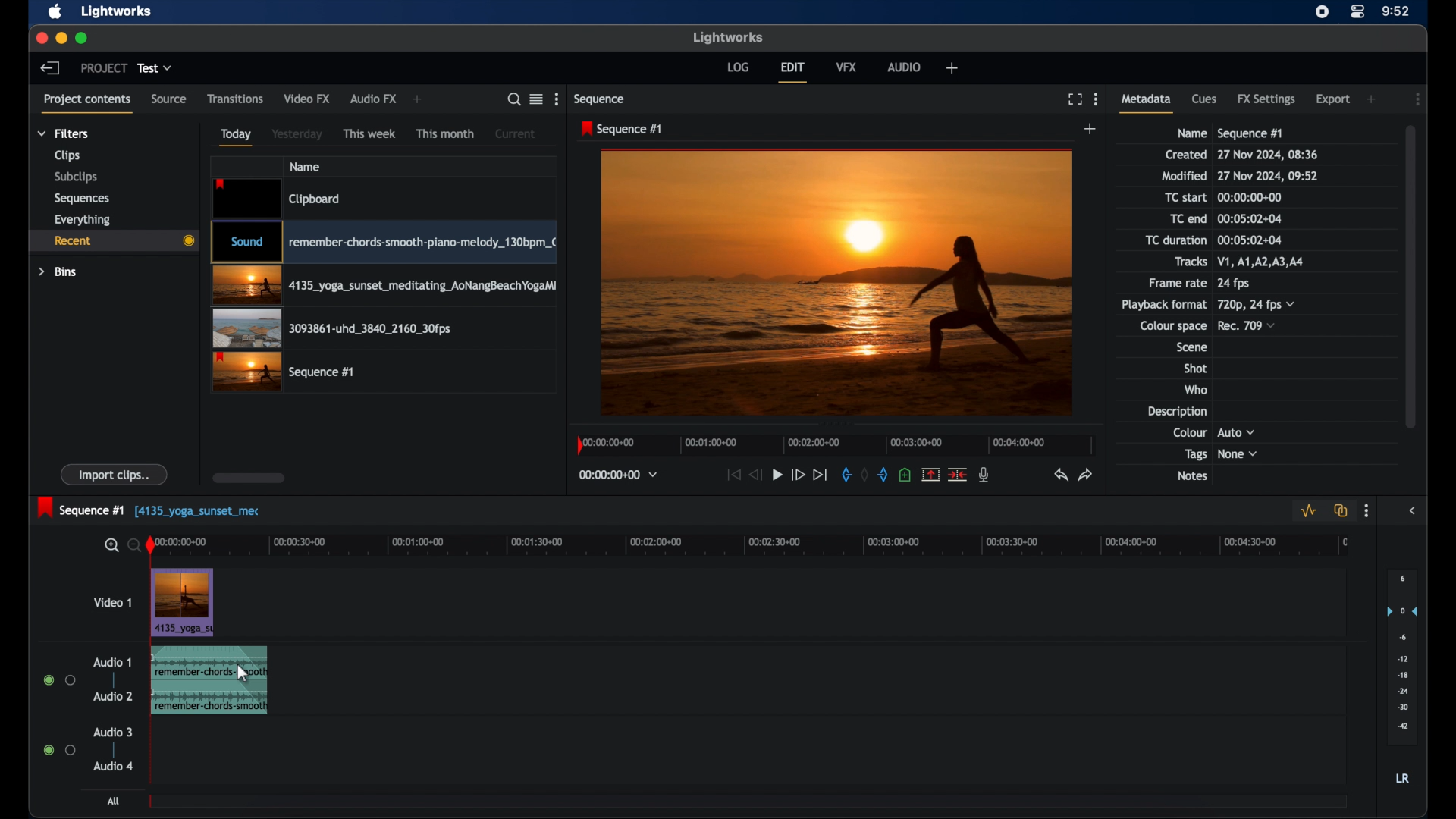 This screenshot has height=819, width=1456. Describe the element at coordinates (169, 98) in the screenshot. I see `source` at that location.